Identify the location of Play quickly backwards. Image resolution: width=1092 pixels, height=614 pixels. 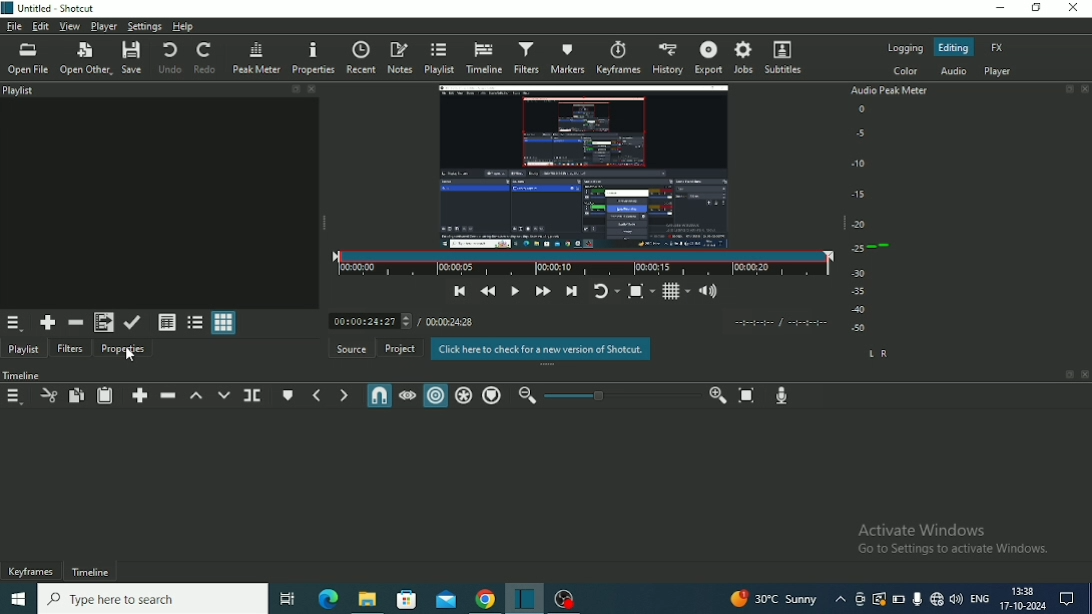
(488, 292).